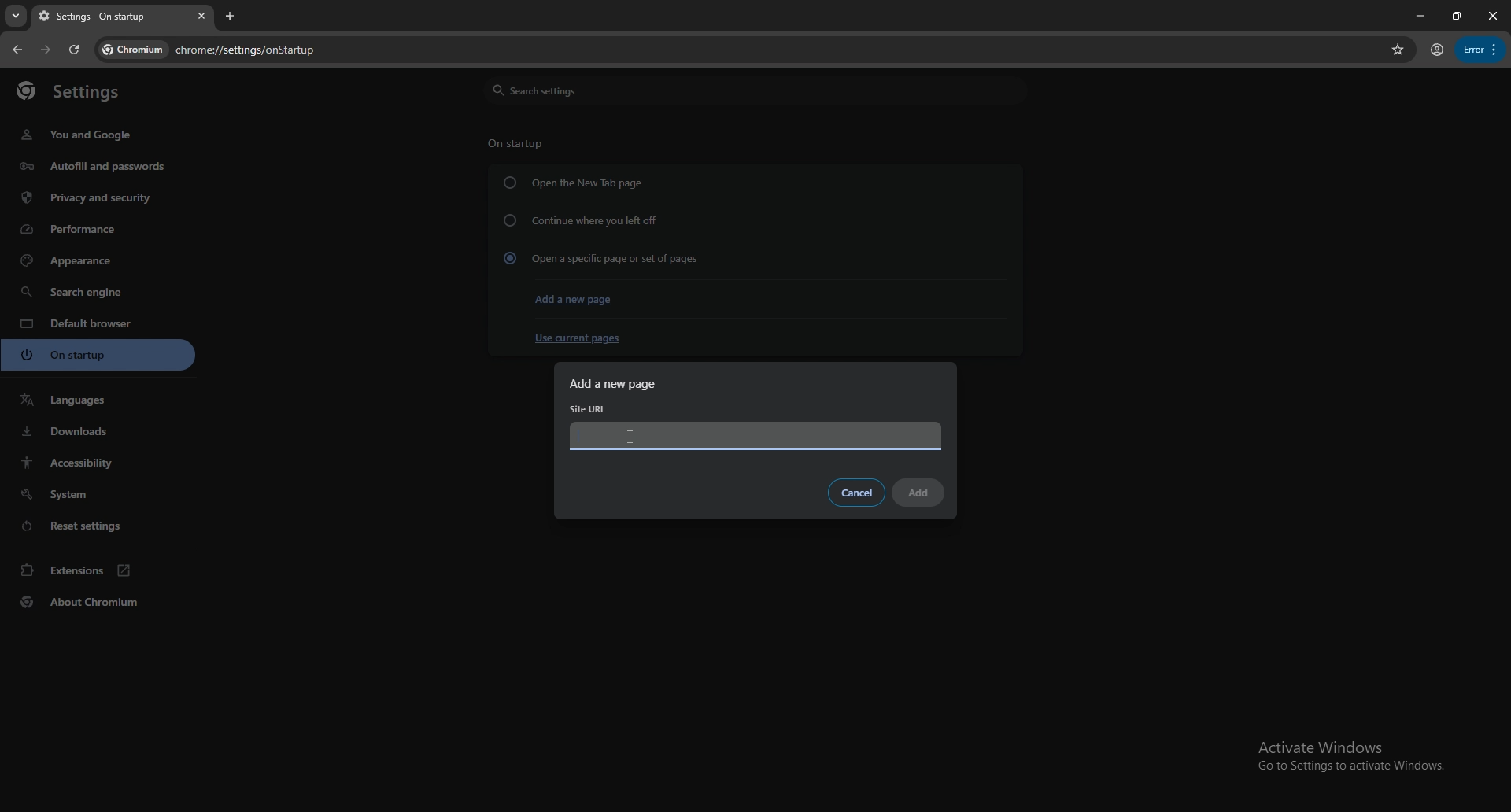 This screenshot has width=1511, height=812. Describe the element at coordinates (621, 383) in the screenshot. I see `add a new page` at that location.